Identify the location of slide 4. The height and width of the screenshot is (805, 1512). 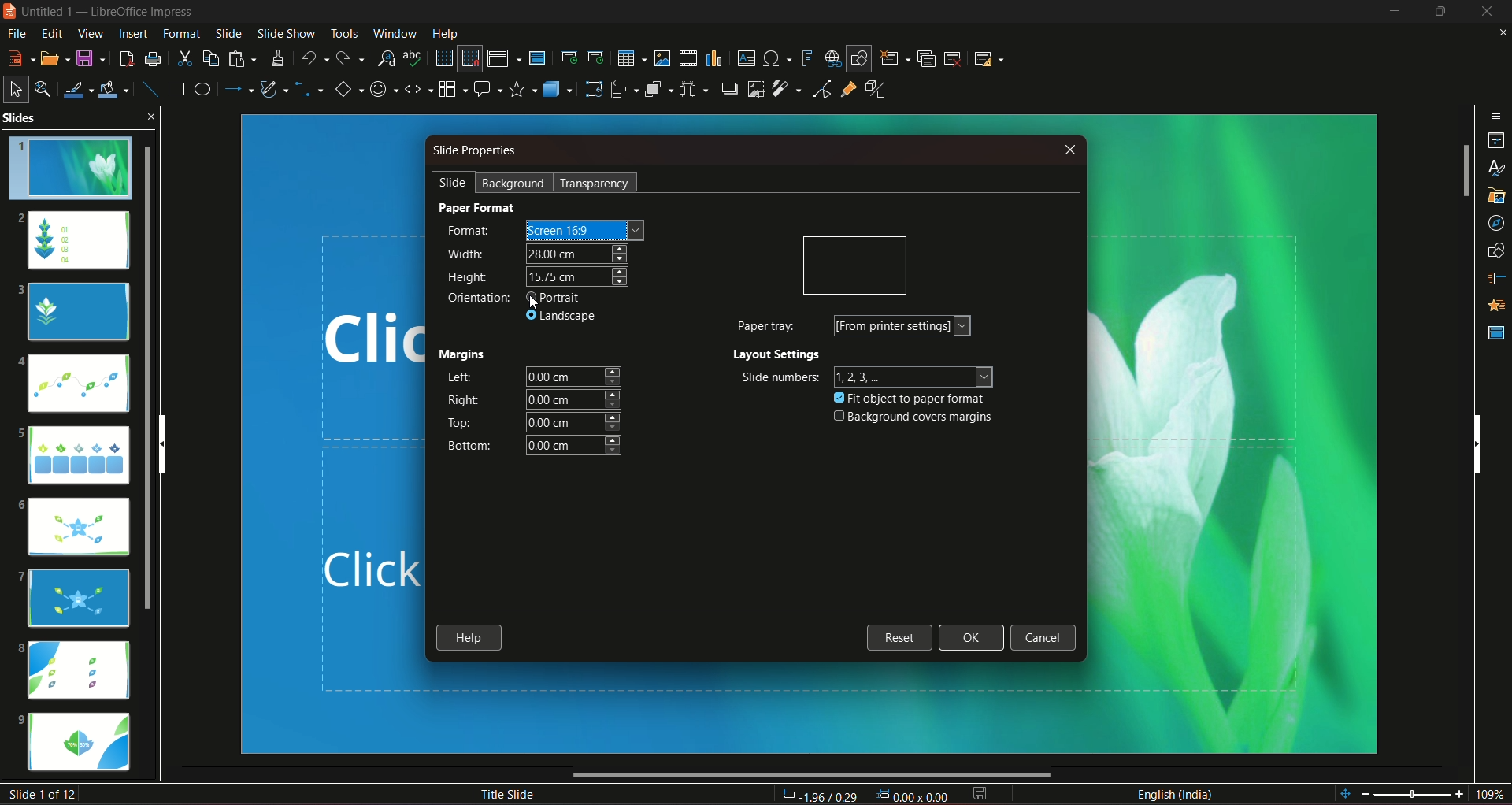
(76, 386).